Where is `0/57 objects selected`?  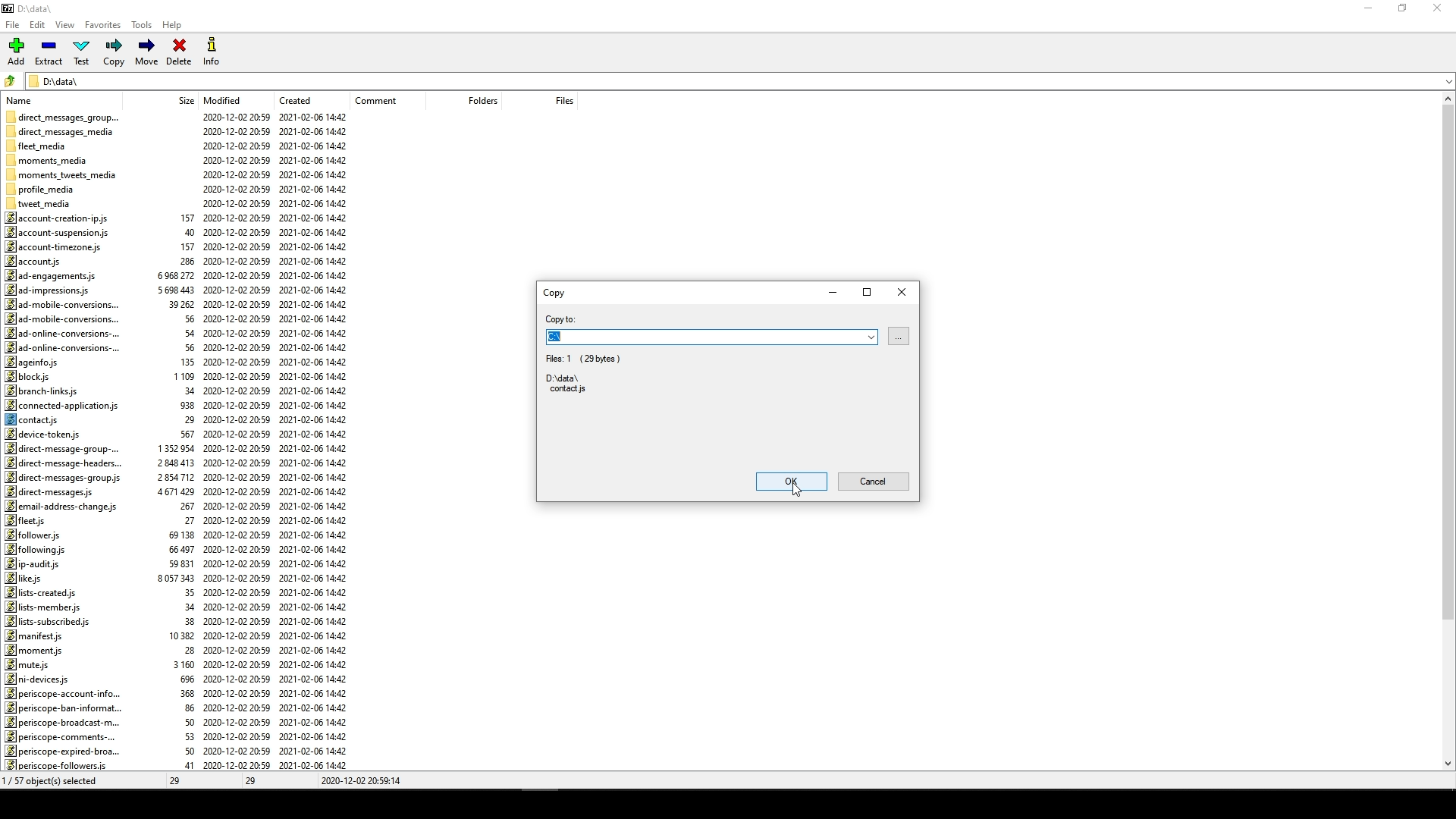
0/57 objects selected is located at coordinates (64, 780).